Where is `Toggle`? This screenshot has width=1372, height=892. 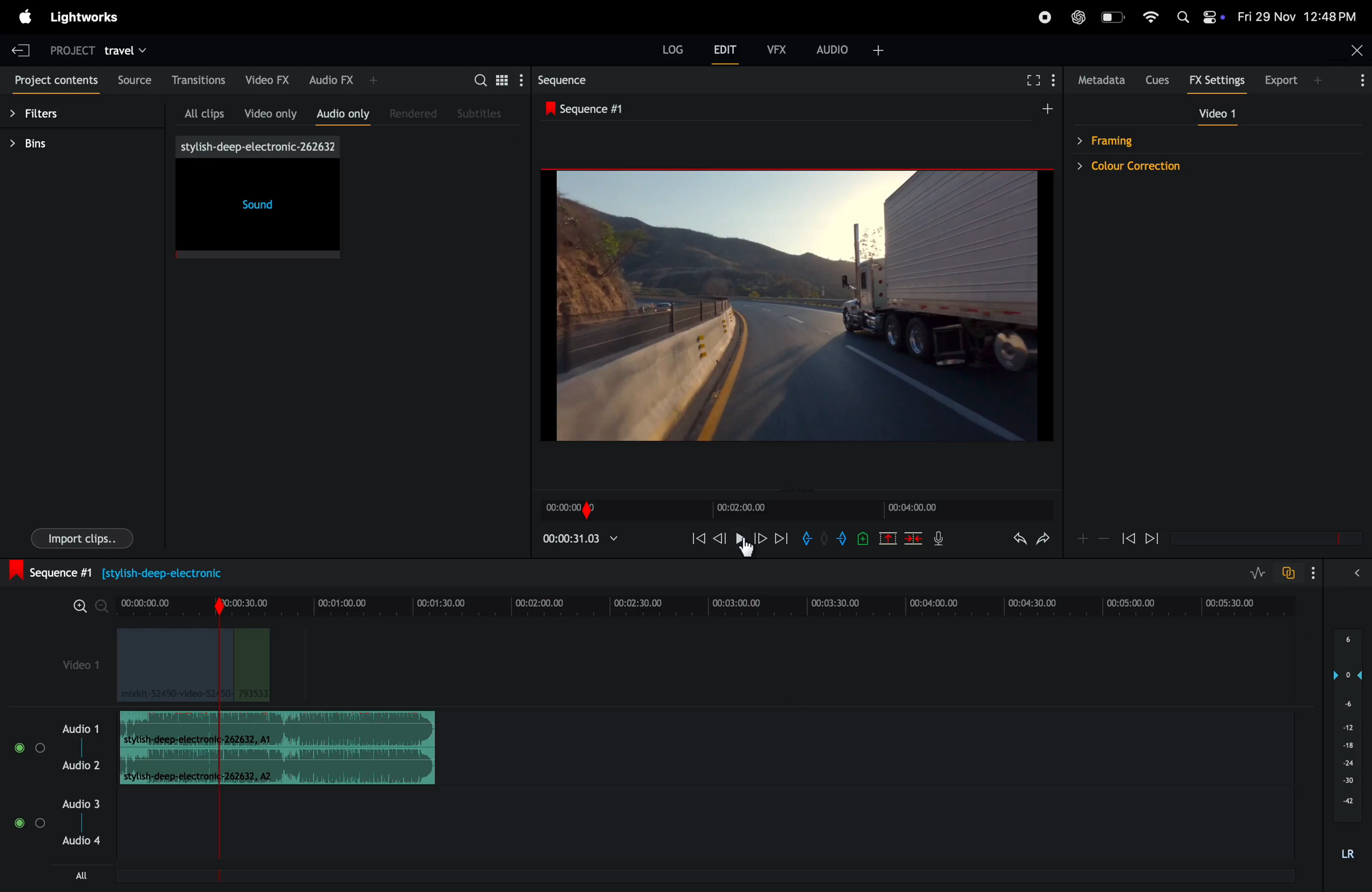 Toggle is located at coordinates (40, 747).